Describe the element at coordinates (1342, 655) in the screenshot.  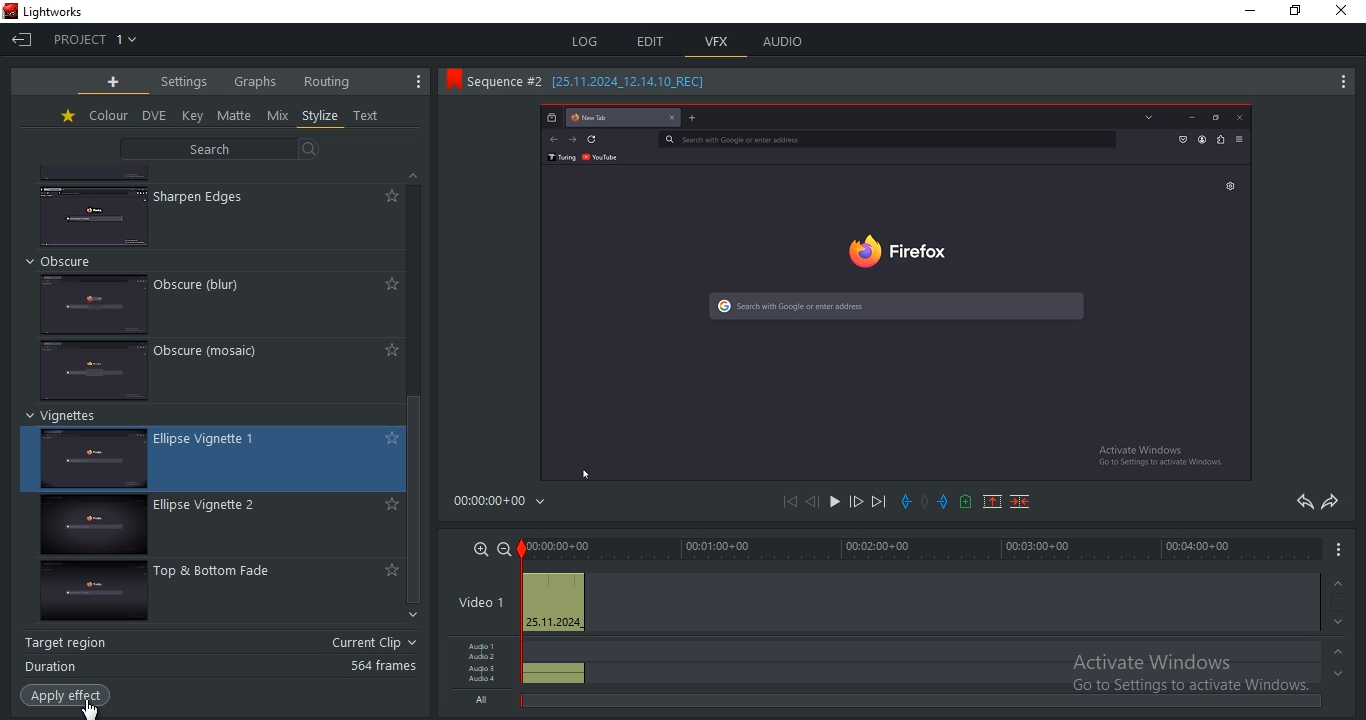
I see `greyed out up arrow` at that location.